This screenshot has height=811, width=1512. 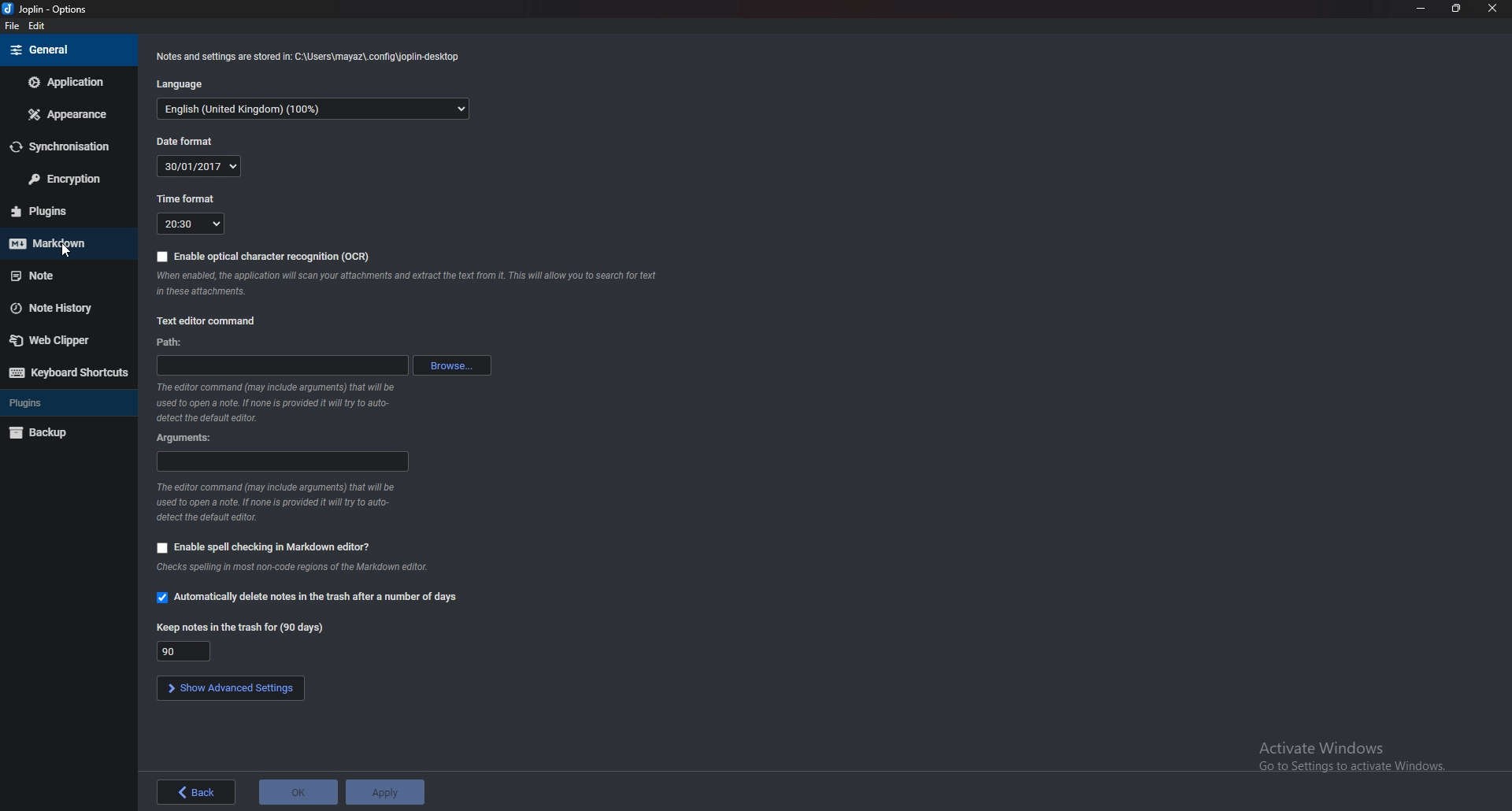 What do you see at coordinates (1494, 8) in the screenshot?
I see `close` at bounding box center [1494, 8].